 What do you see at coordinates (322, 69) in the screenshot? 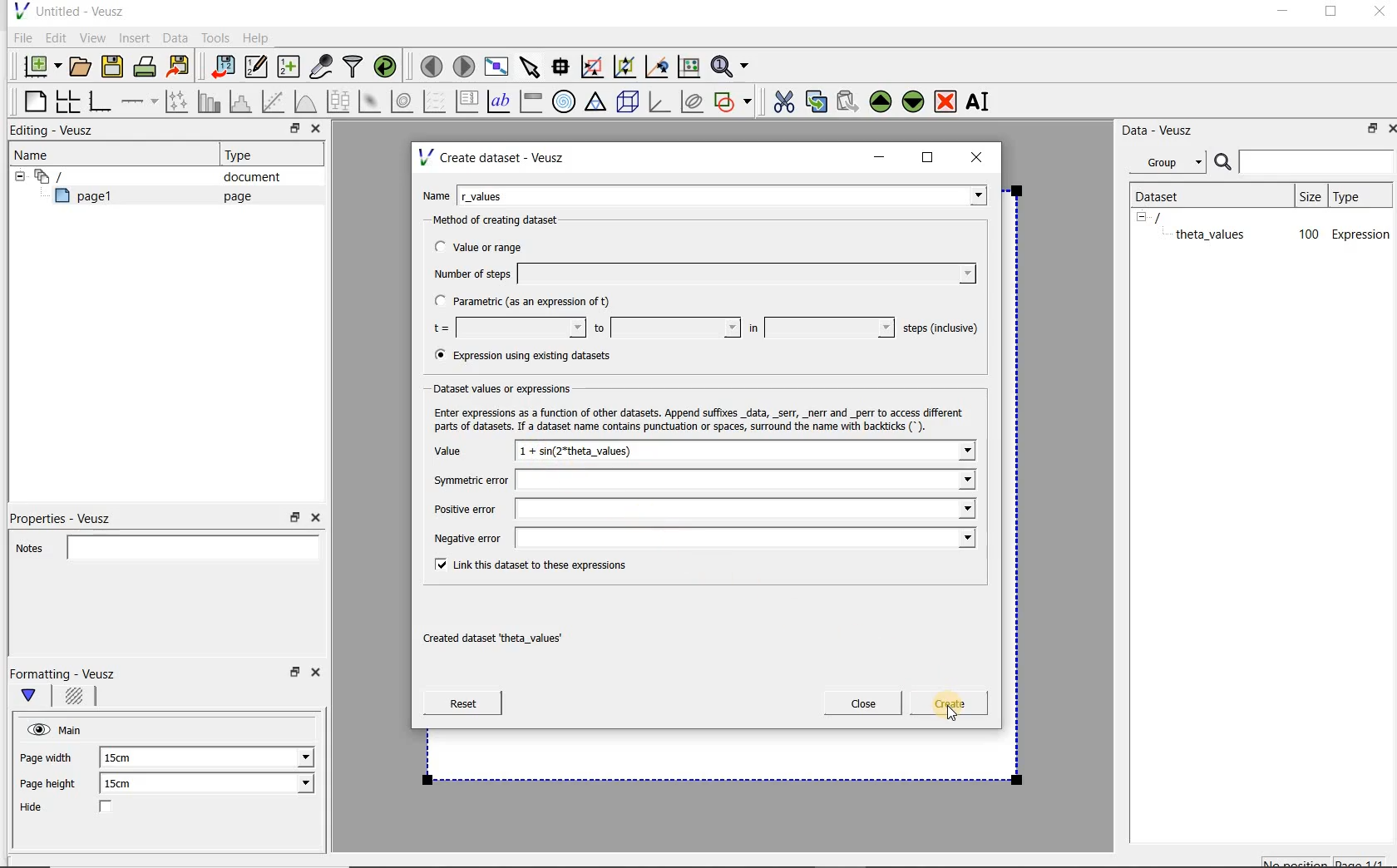
I see `capture remote data` at bounding box center [322, 69].